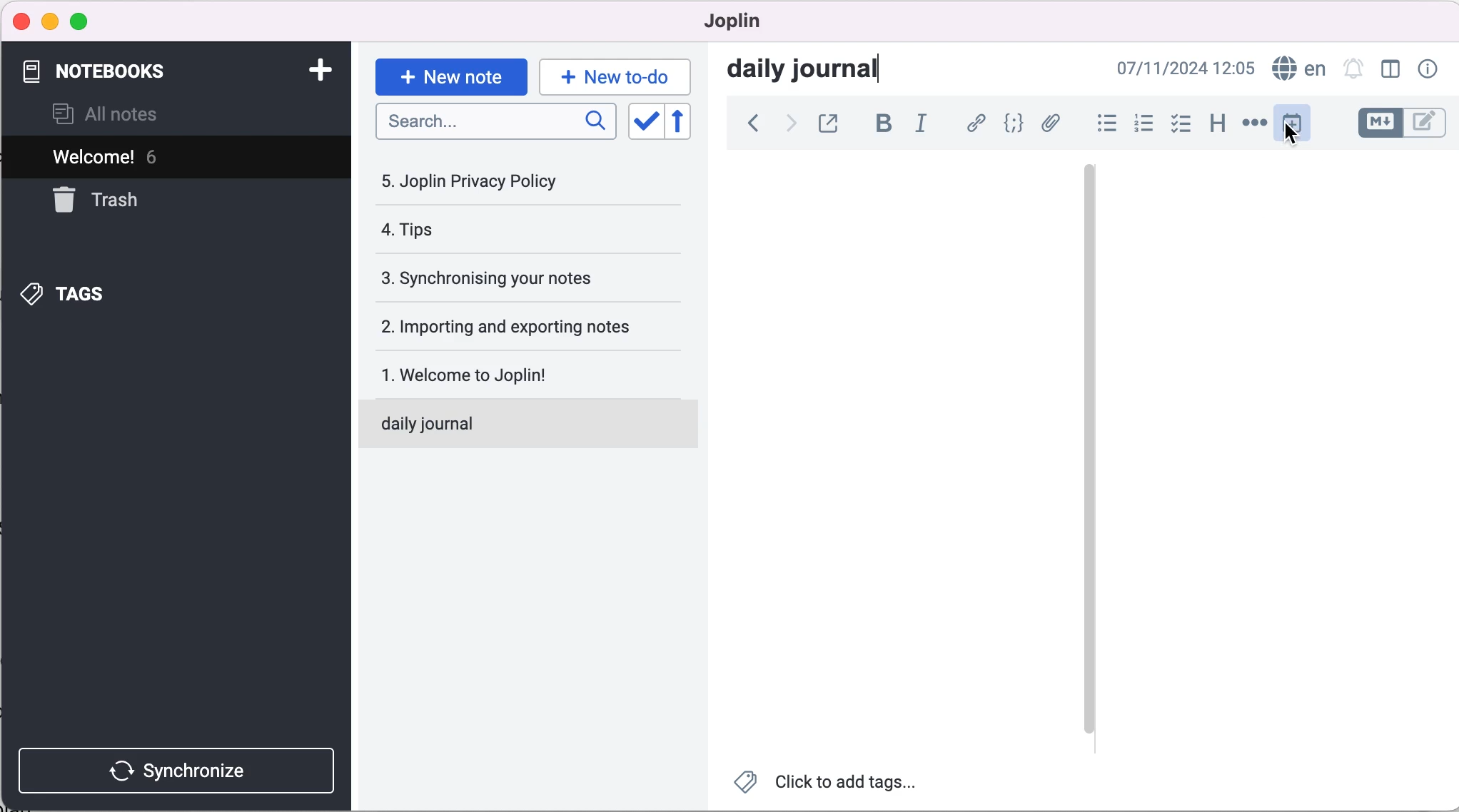 This screenshot has height=812, width=1459. Describe the element at coordinates (1051, 123) in the screenshot. I see `attach file` at that location.